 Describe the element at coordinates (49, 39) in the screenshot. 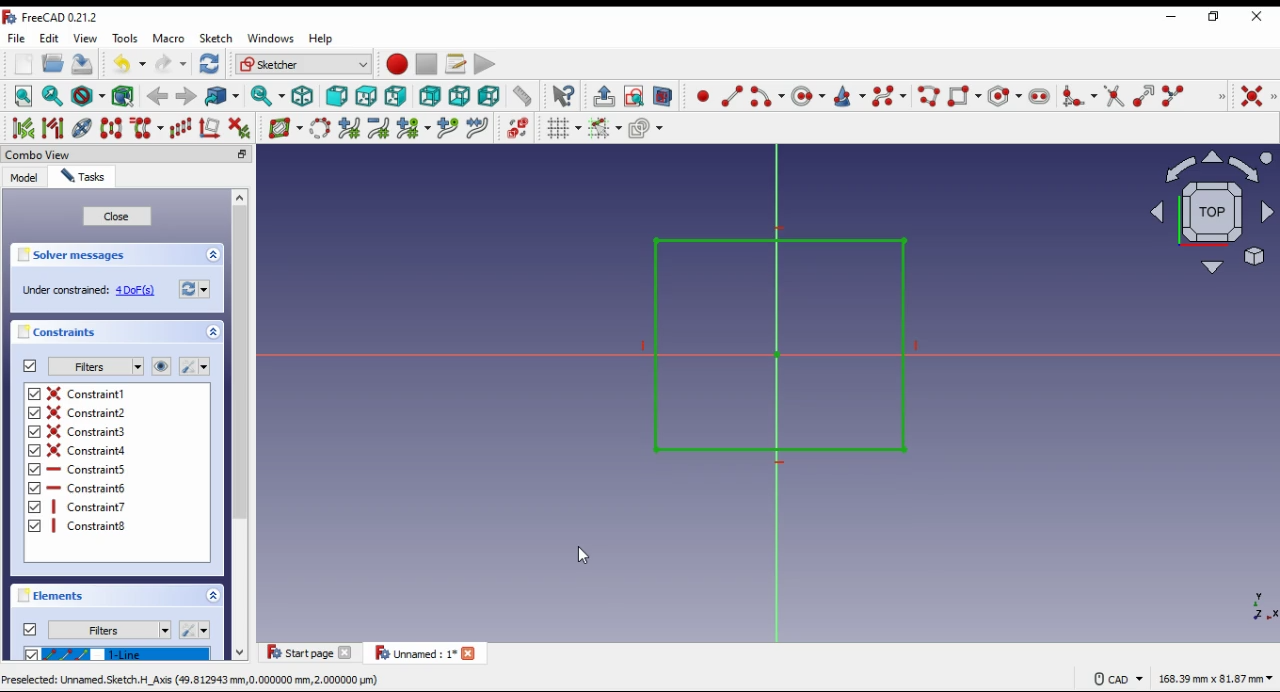

I see `edit` at that location.